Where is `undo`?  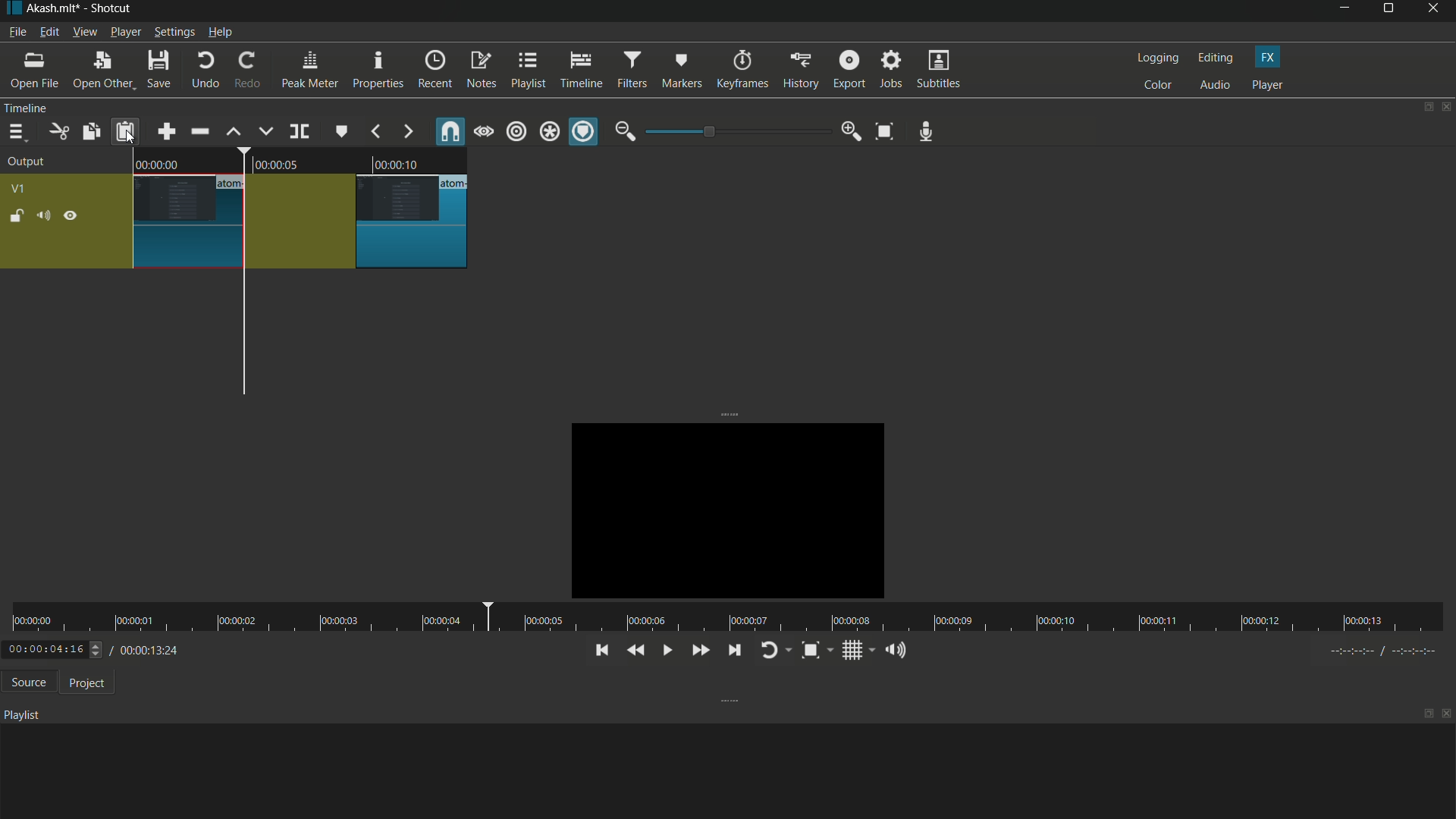 undo is located at coordinates (202, 71).